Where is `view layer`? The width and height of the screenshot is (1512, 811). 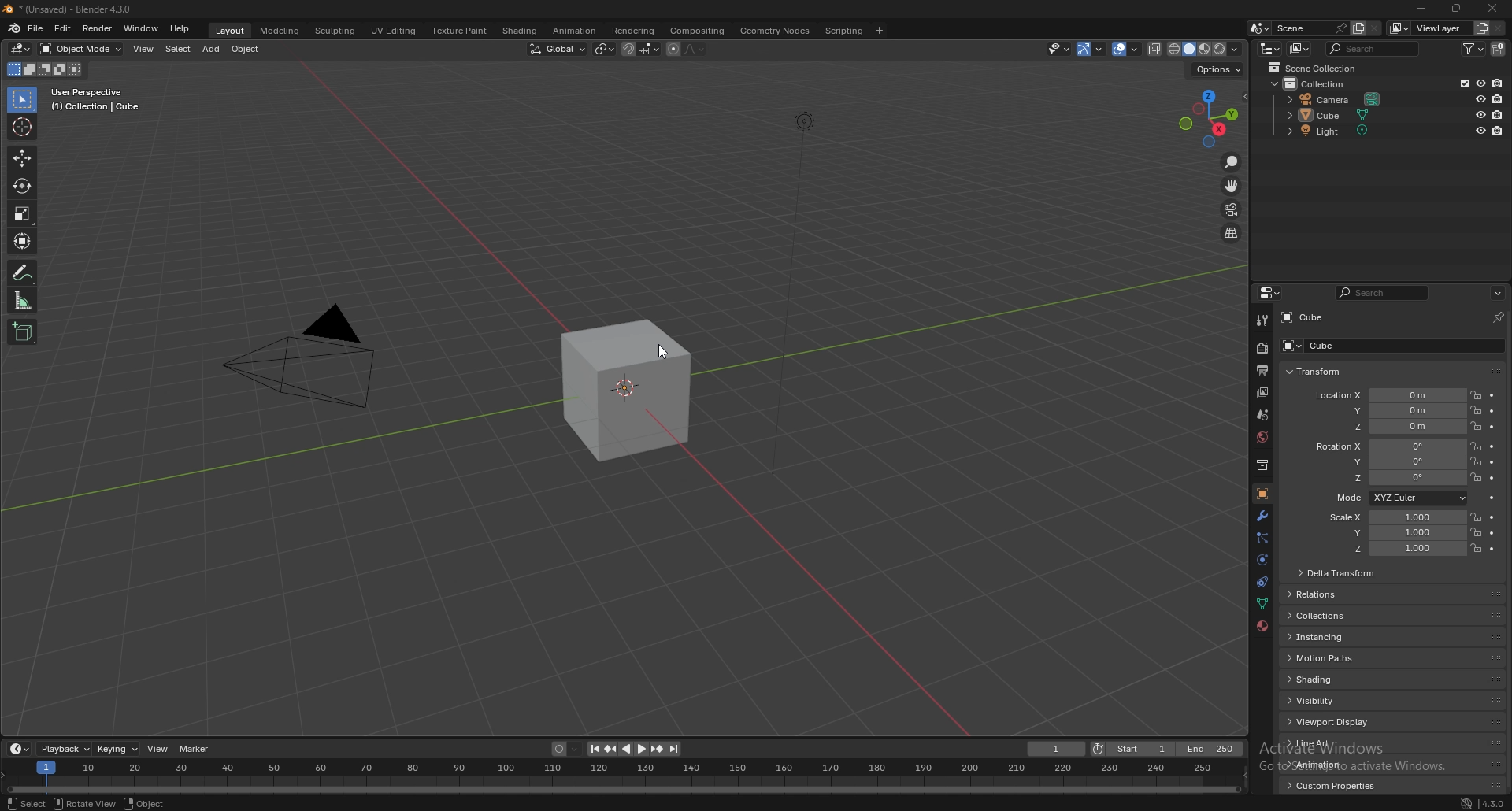 view layer is located at coordinates (1261, 393).